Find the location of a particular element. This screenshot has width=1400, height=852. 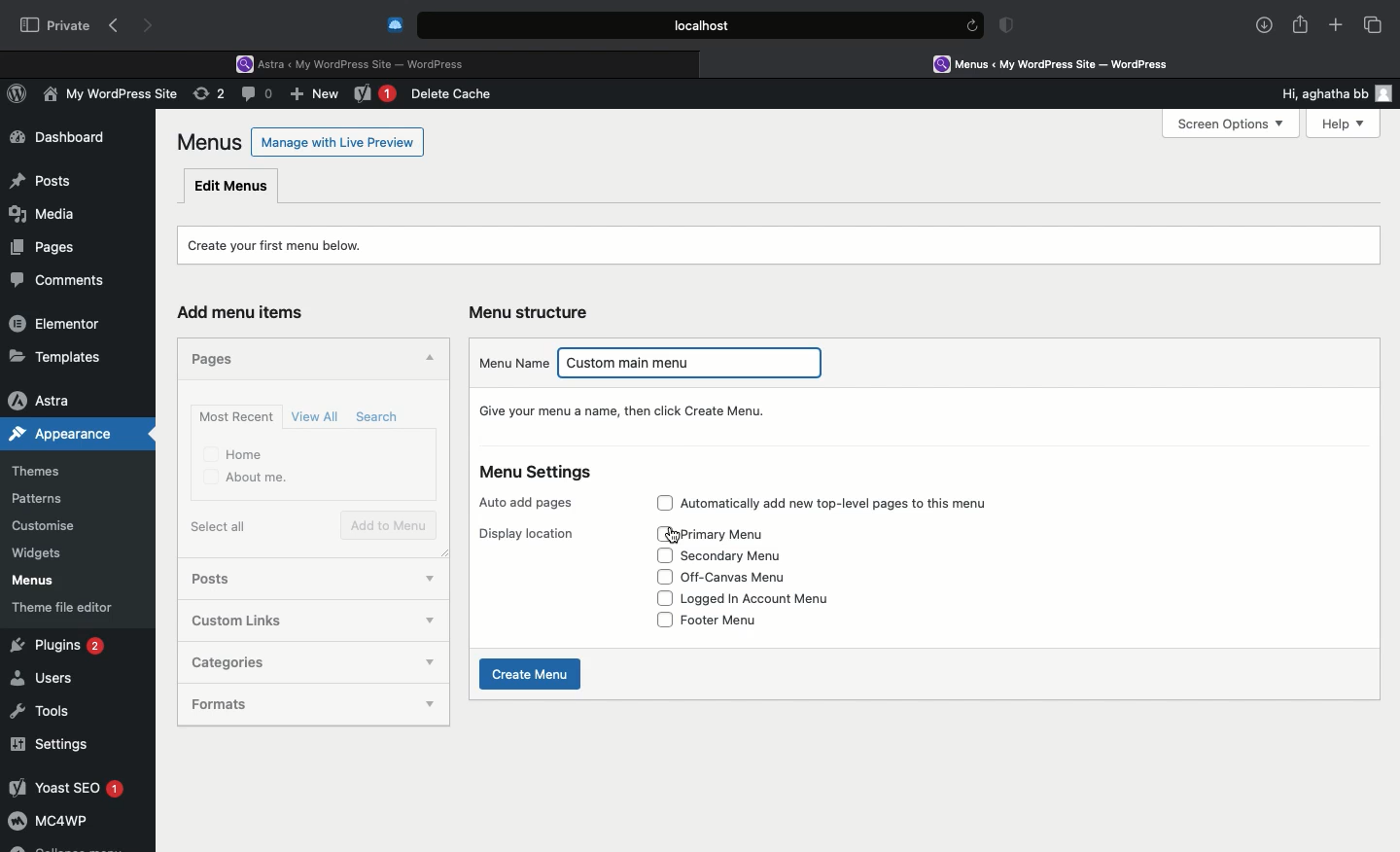

Elementor is located at coordinates (58, 323).